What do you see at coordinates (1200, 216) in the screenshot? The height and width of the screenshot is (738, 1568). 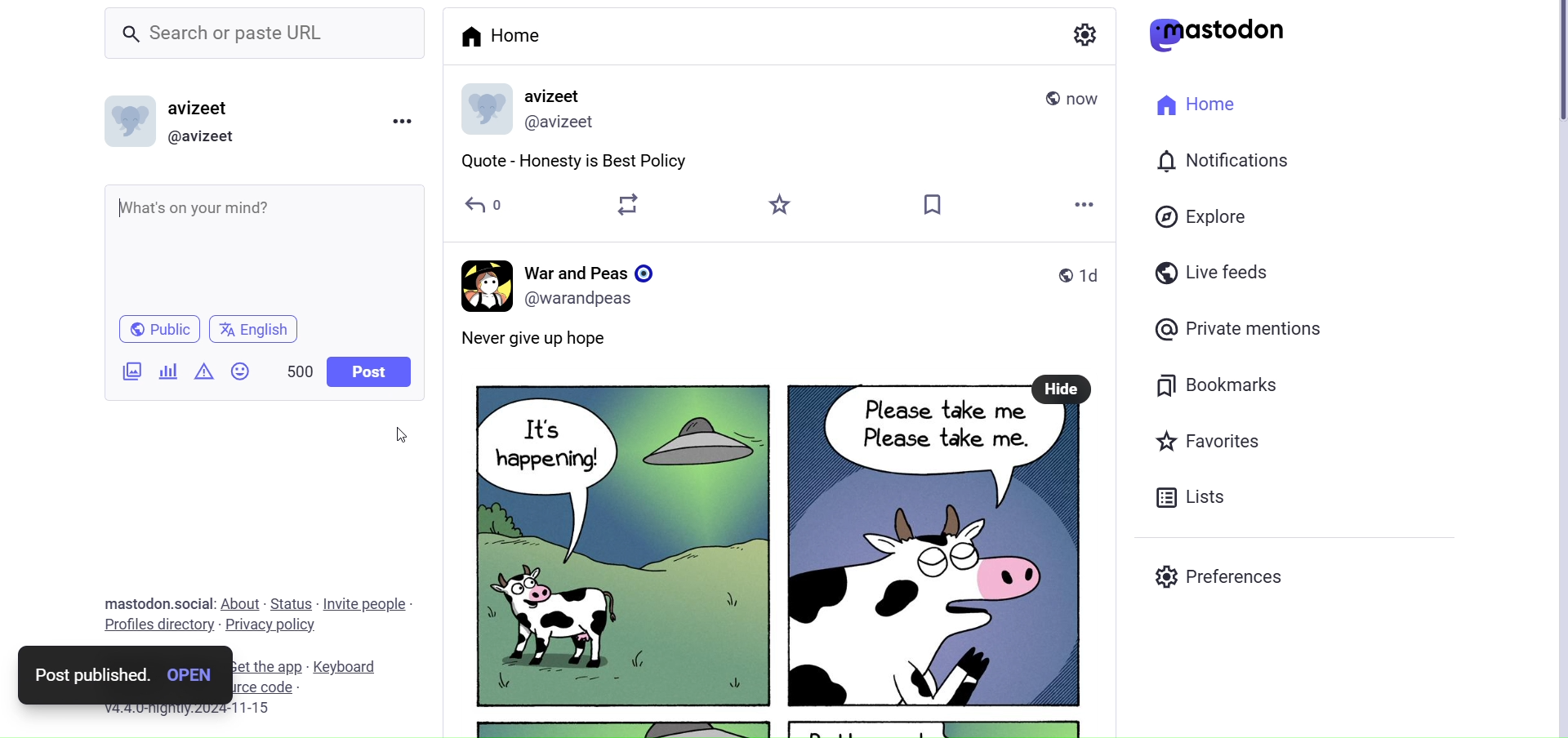 I see `Explore` at bounding box center [1200, 216].